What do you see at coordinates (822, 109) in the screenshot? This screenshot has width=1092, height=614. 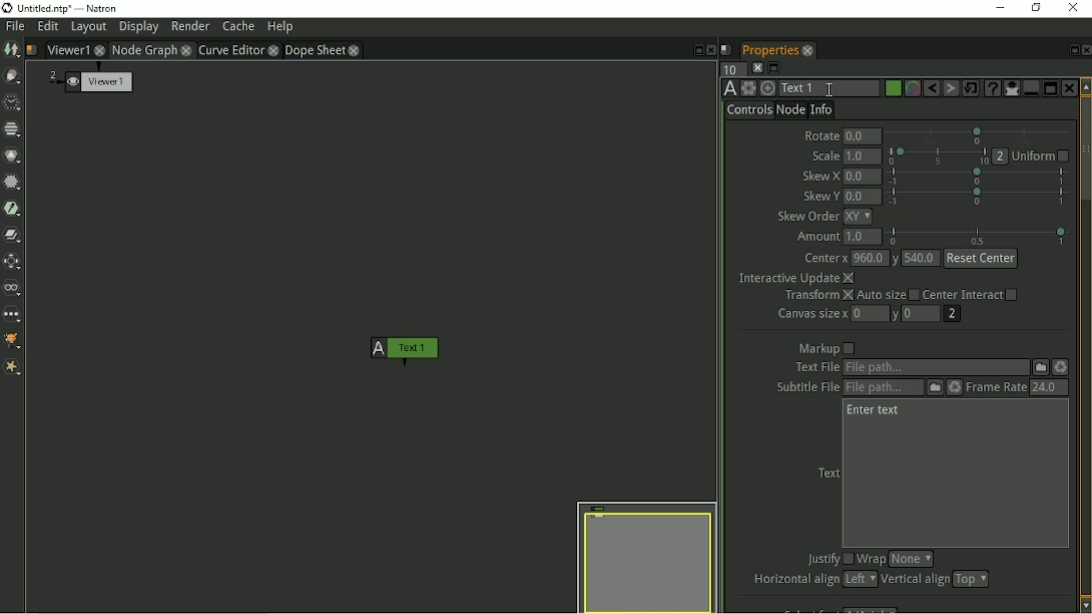 I see `Info` at bounding box center [822, 109].